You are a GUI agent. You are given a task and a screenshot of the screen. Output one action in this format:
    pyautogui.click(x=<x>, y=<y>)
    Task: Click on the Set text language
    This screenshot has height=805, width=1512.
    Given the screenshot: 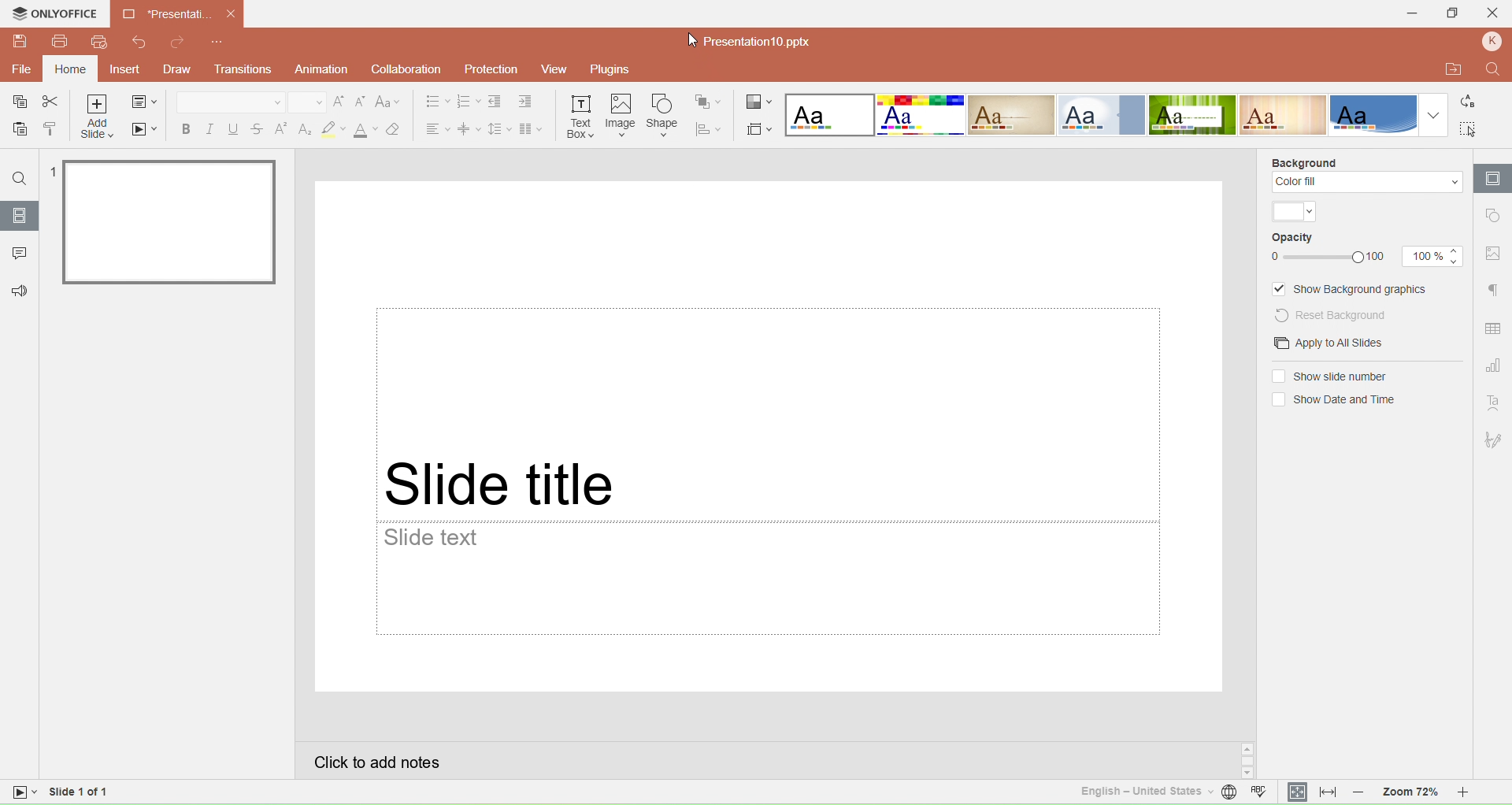 What is the action you would take?
    pyautogui.click(x=1137, y=791)
    